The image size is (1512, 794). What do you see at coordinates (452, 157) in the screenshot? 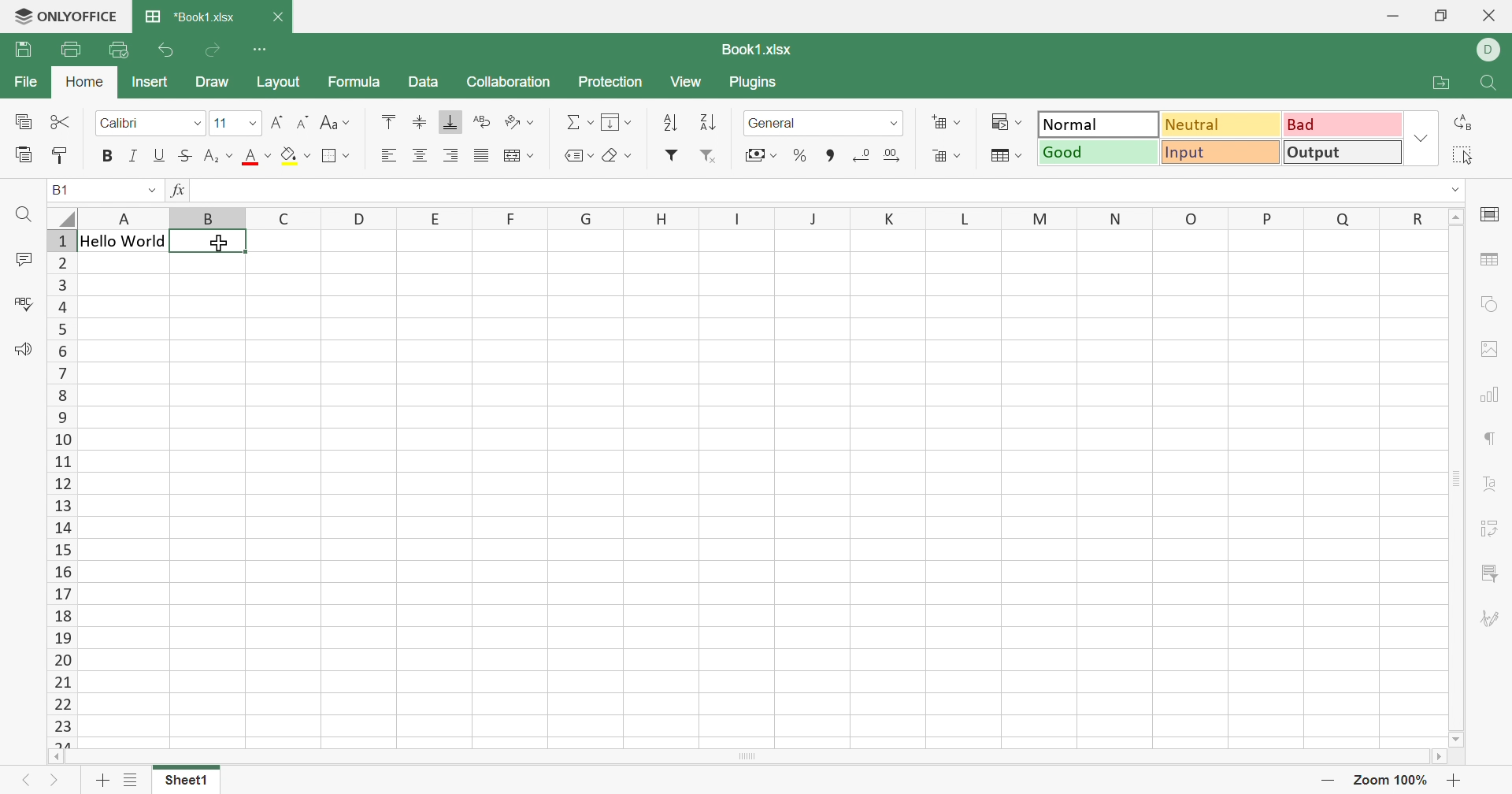
I see `Align right` at bounding box center [452, 157].